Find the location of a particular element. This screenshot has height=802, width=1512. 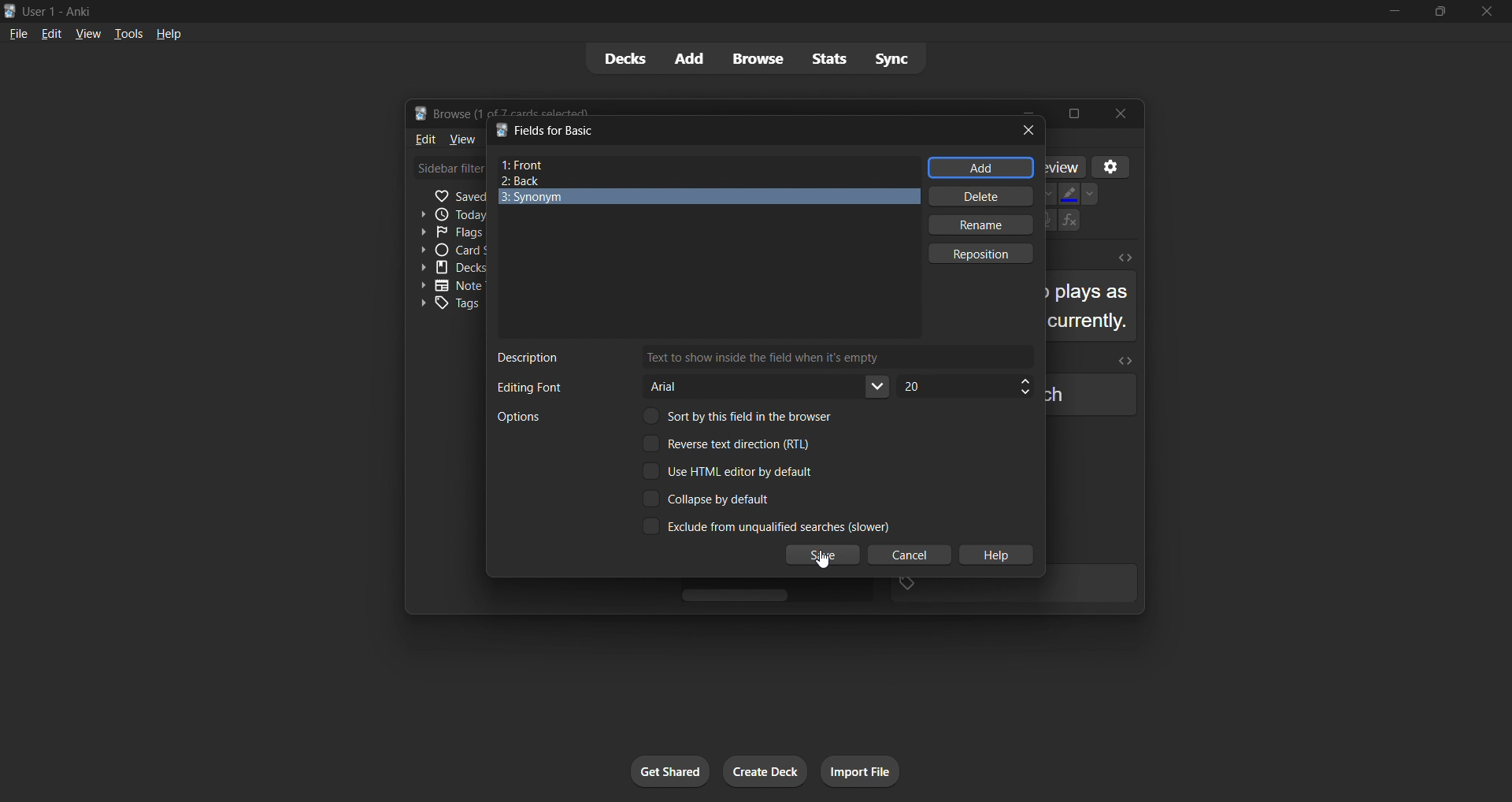

sync is located at coordinates (896, 58).